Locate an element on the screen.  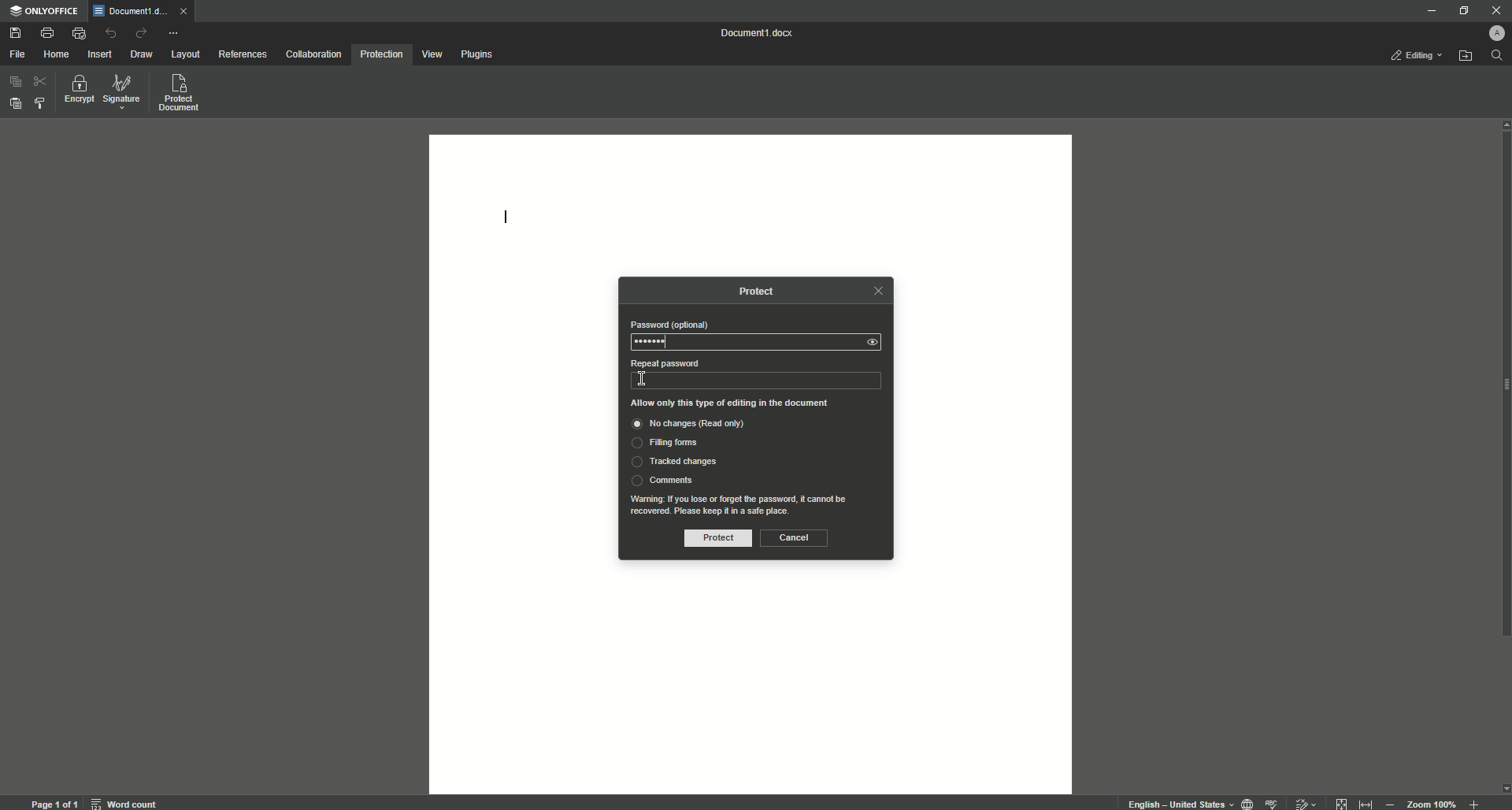
Repeat Password is located at coordinates (664, 363).